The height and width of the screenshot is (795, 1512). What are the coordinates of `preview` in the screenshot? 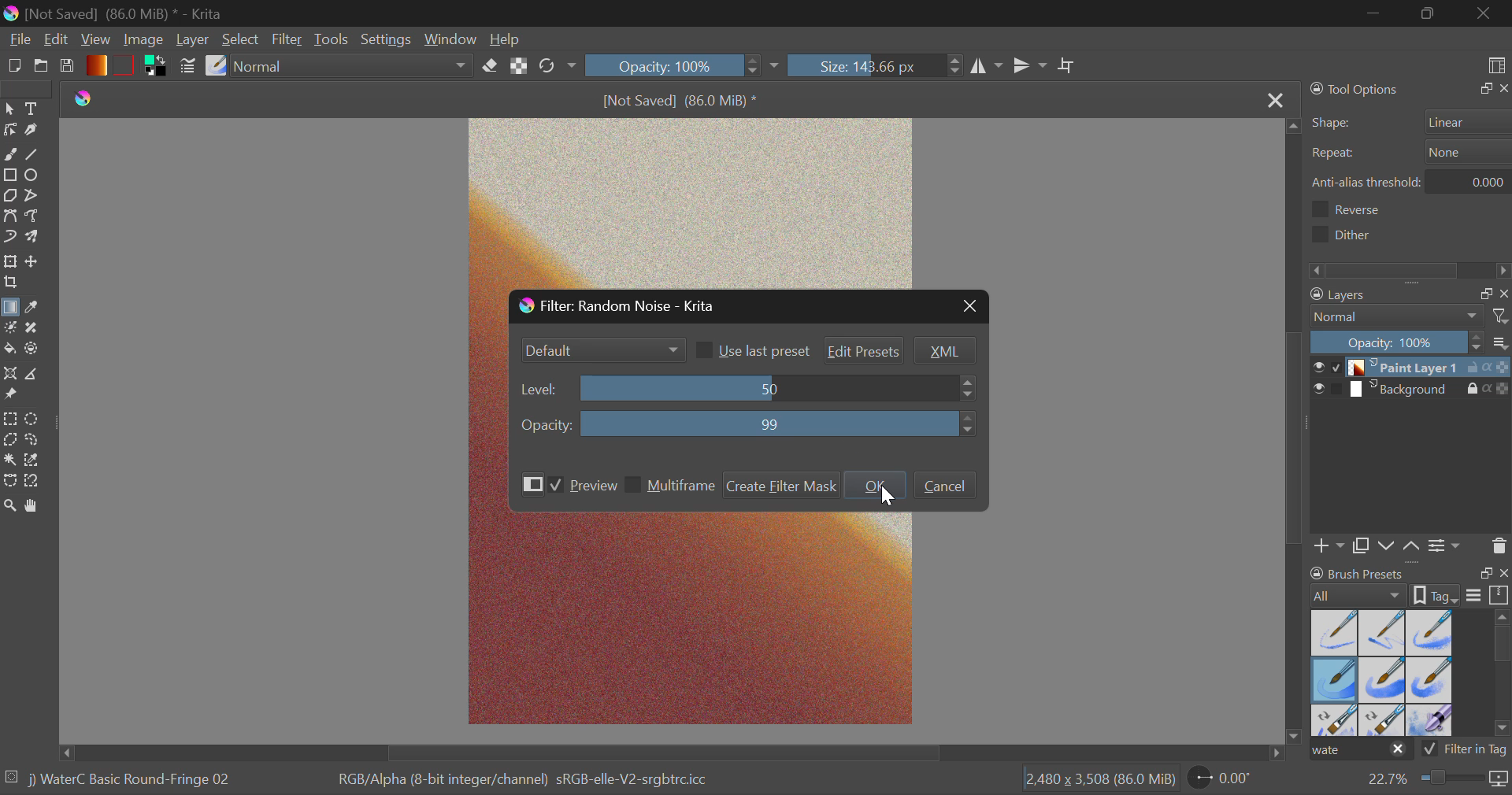 It's located at (1317, 390).